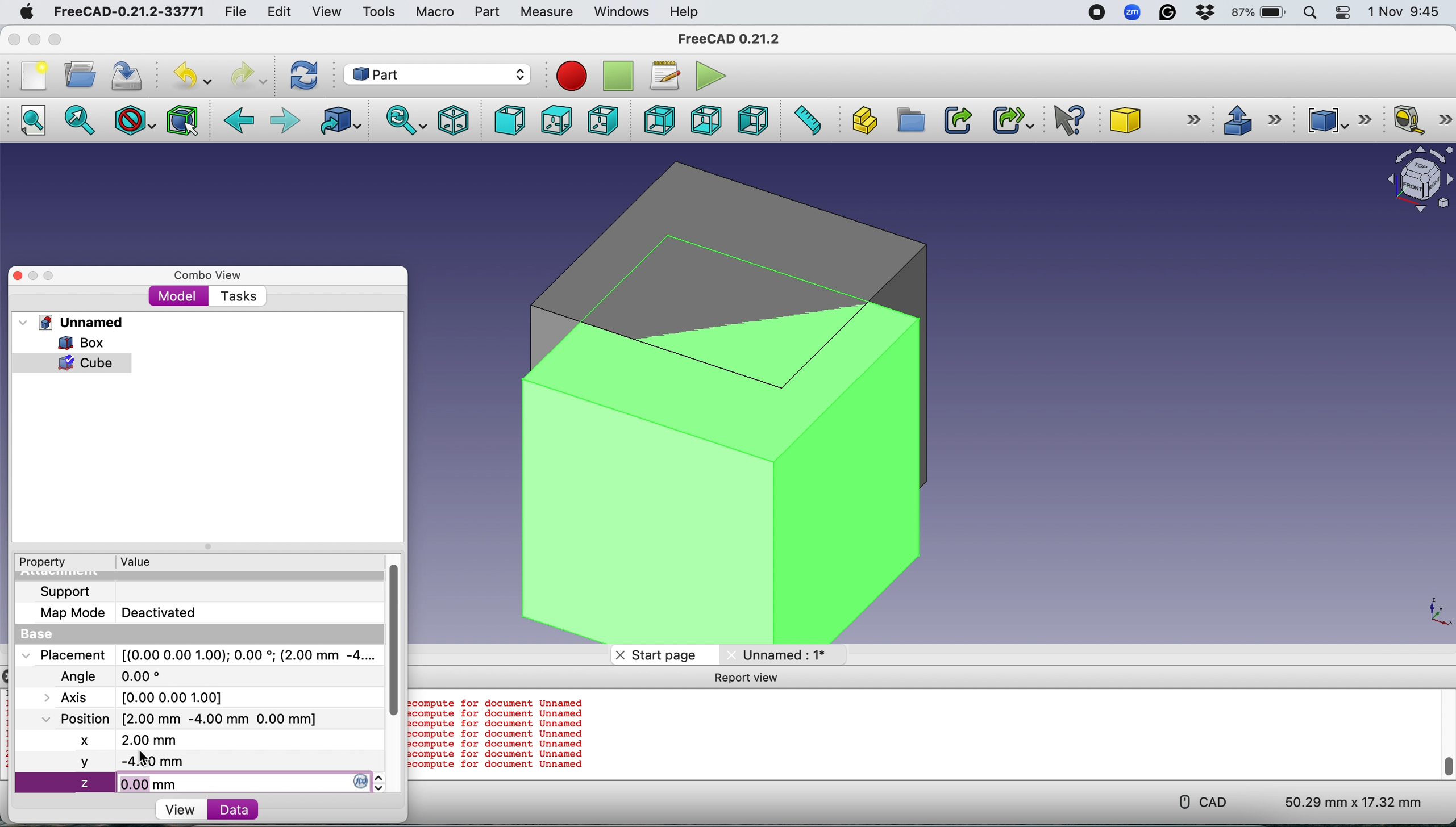 This screenshot has height=827, width=1456. What do you see at coordinates (39, 122) in the screenshot?
I see `Fit all` at bounding box center [39, 122].